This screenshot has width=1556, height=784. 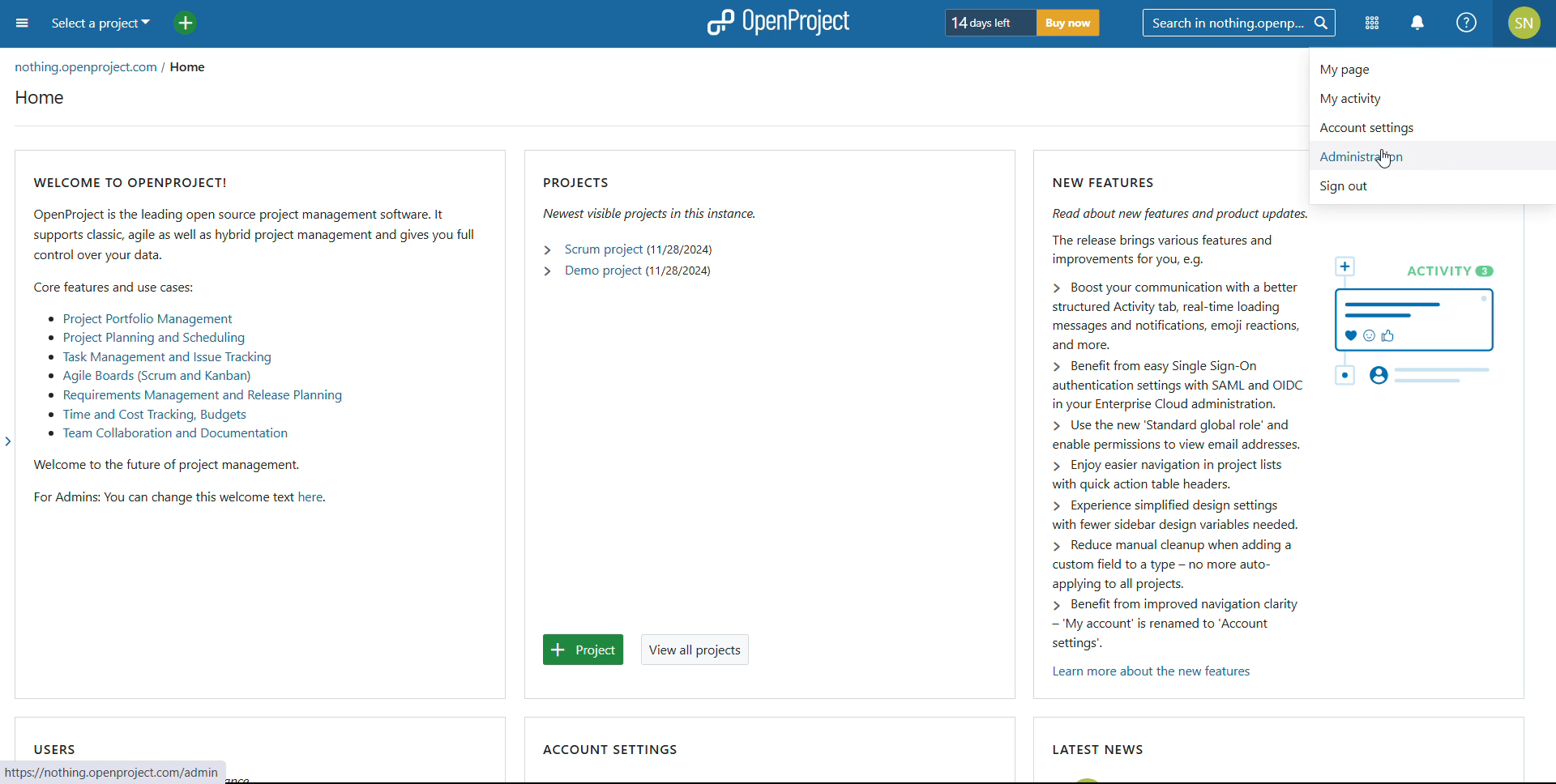 What do you see at coordinates (1419, 23) in the screenshot?
I see `notifications` at bounding box center [1419, 23].